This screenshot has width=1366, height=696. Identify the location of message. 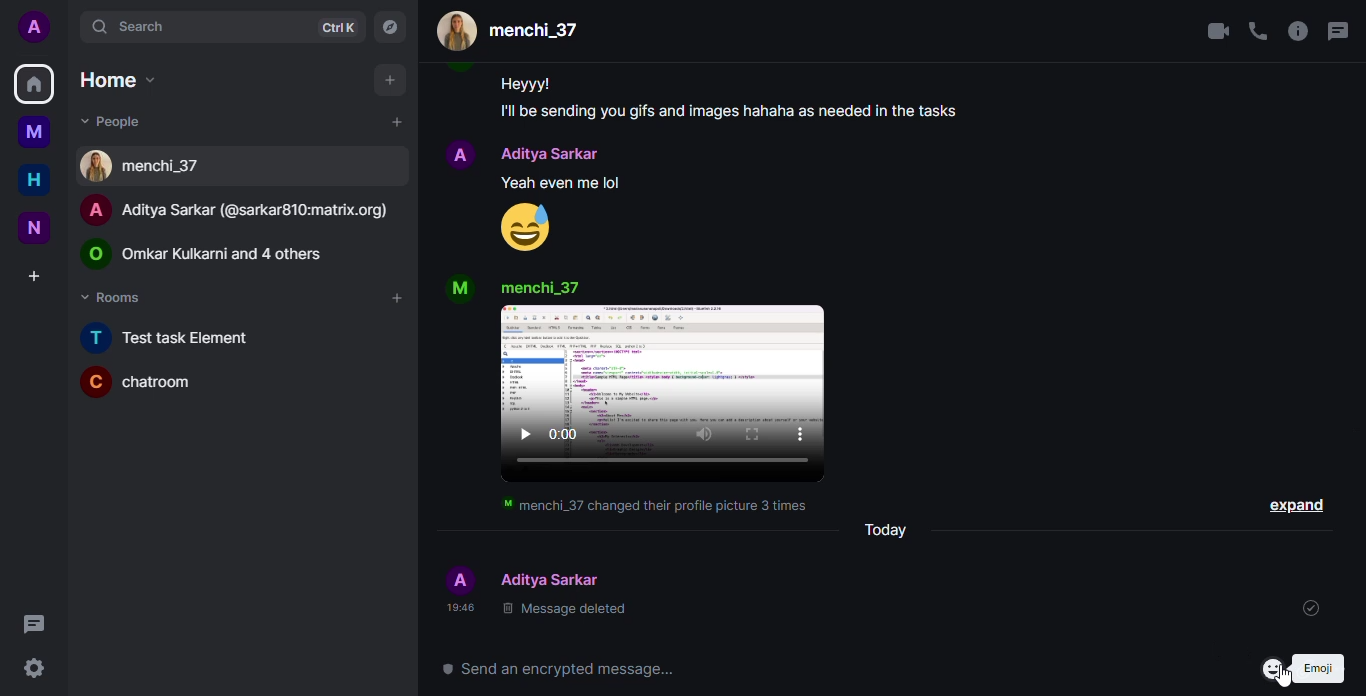
(566, 182).